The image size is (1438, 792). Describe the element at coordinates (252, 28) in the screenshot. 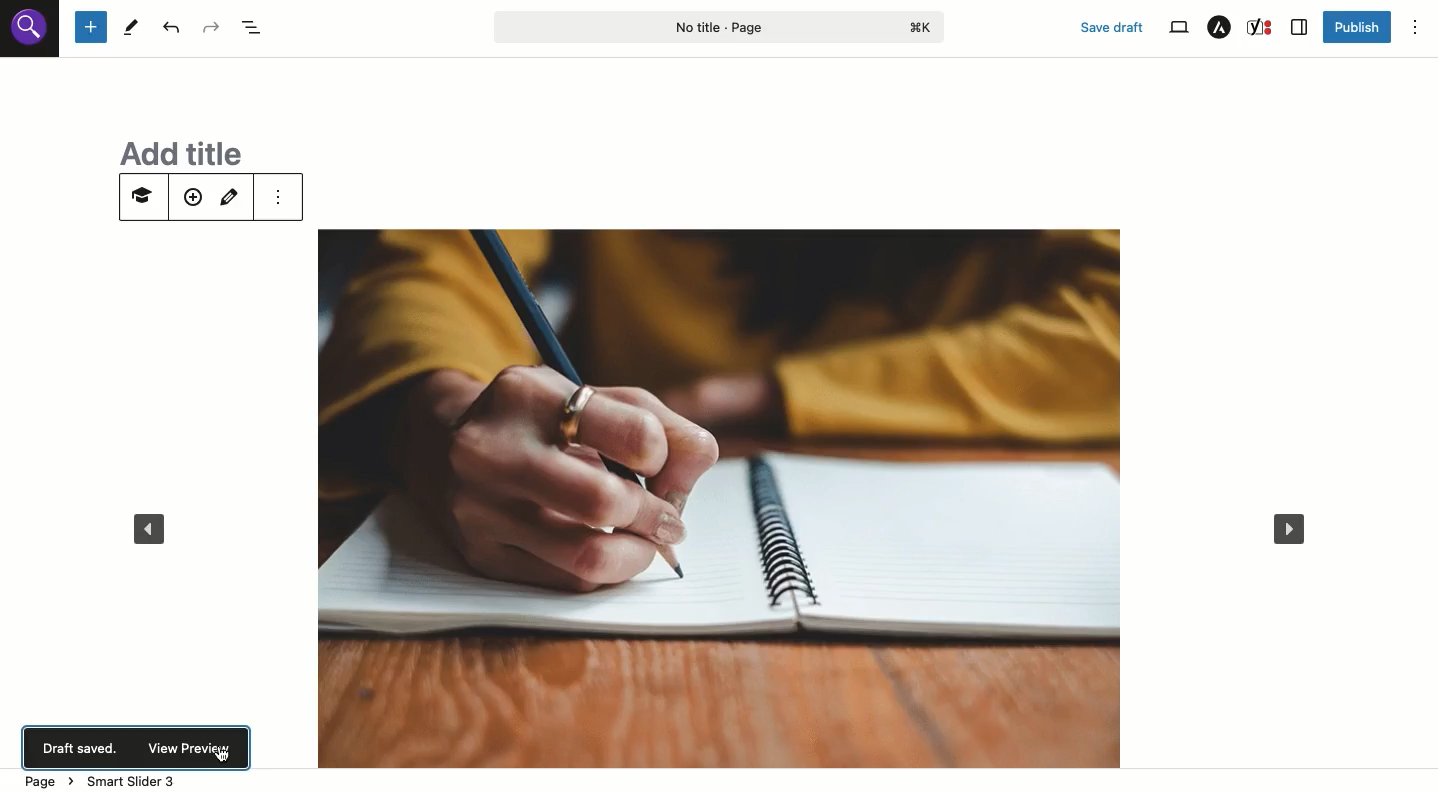

I see `Document overview` at that location.